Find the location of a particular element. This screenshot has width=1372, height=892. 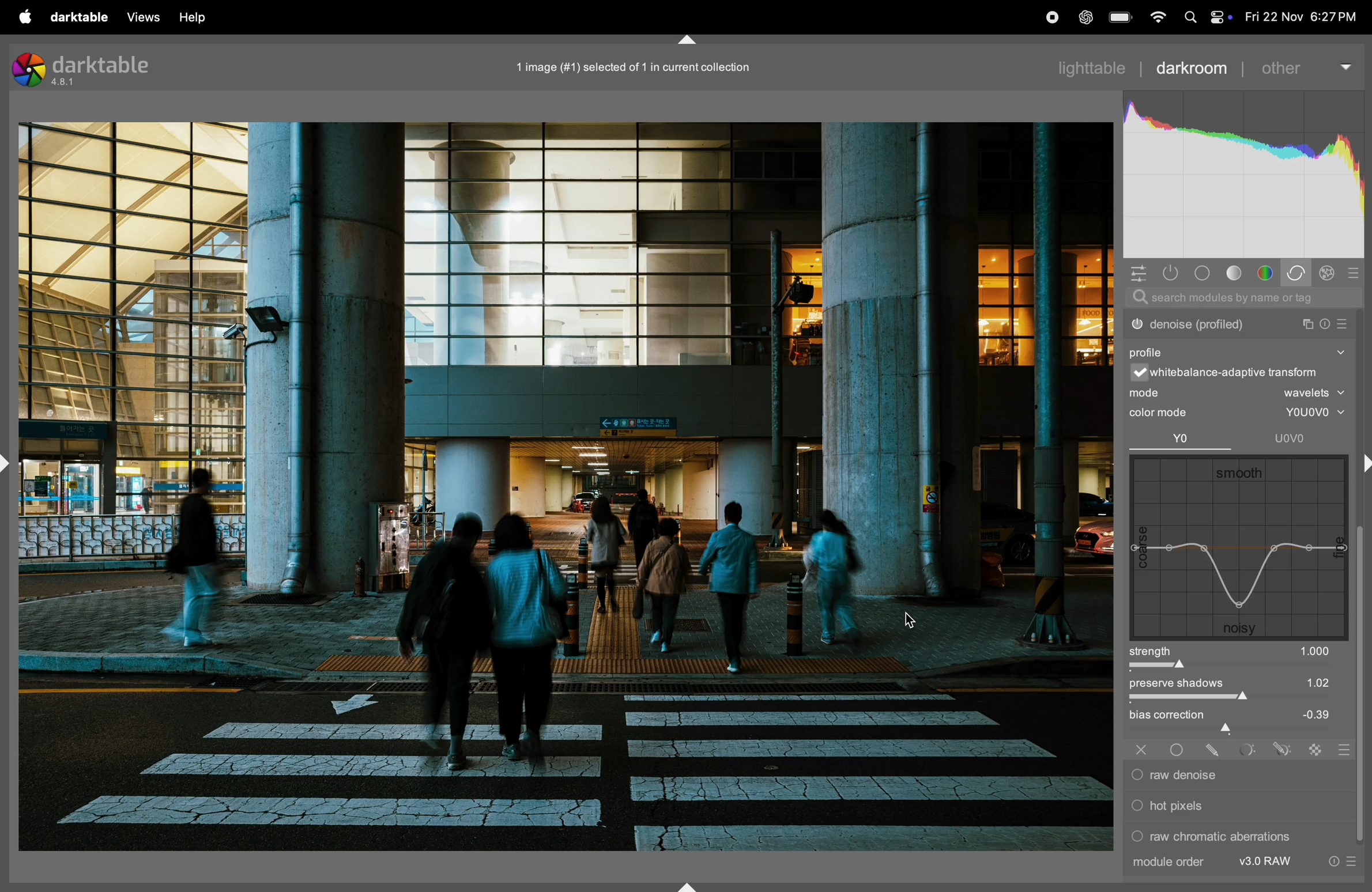

effect is located at coordinates (1328, 274).